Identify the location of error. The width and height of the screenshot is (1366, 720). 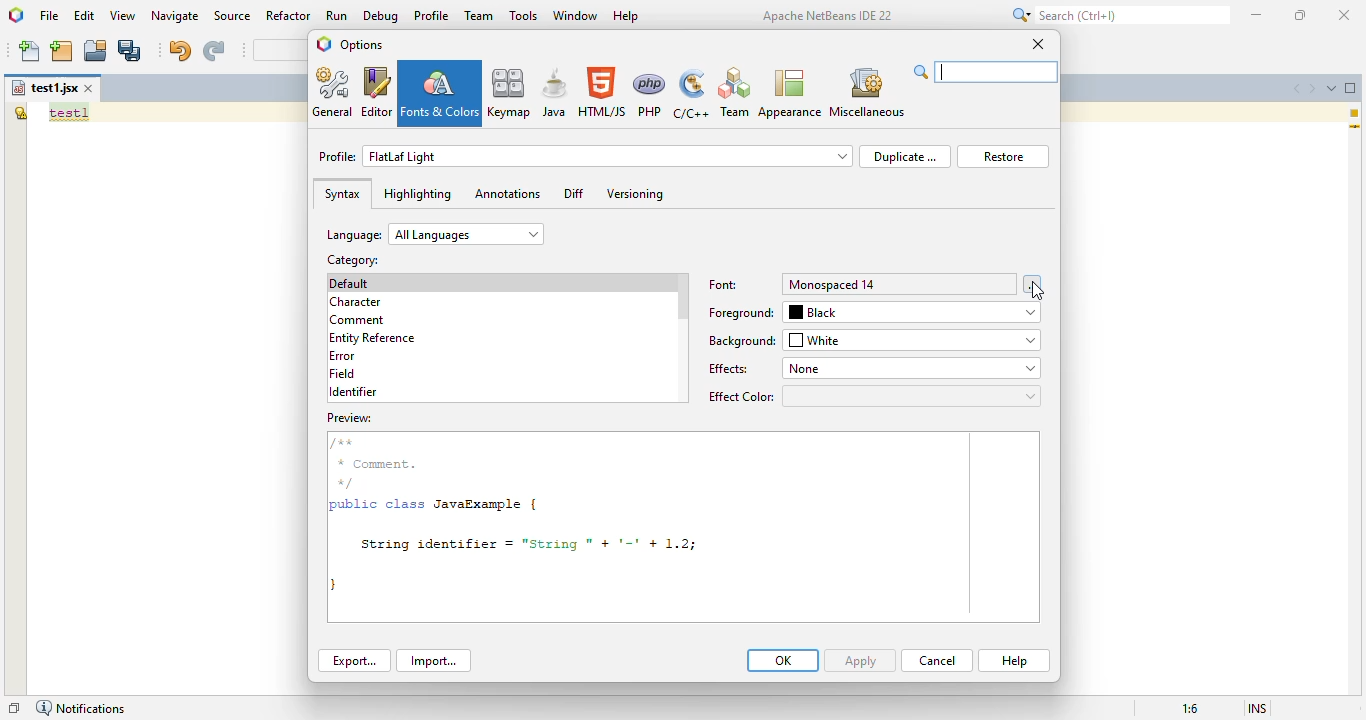
(342, 356).